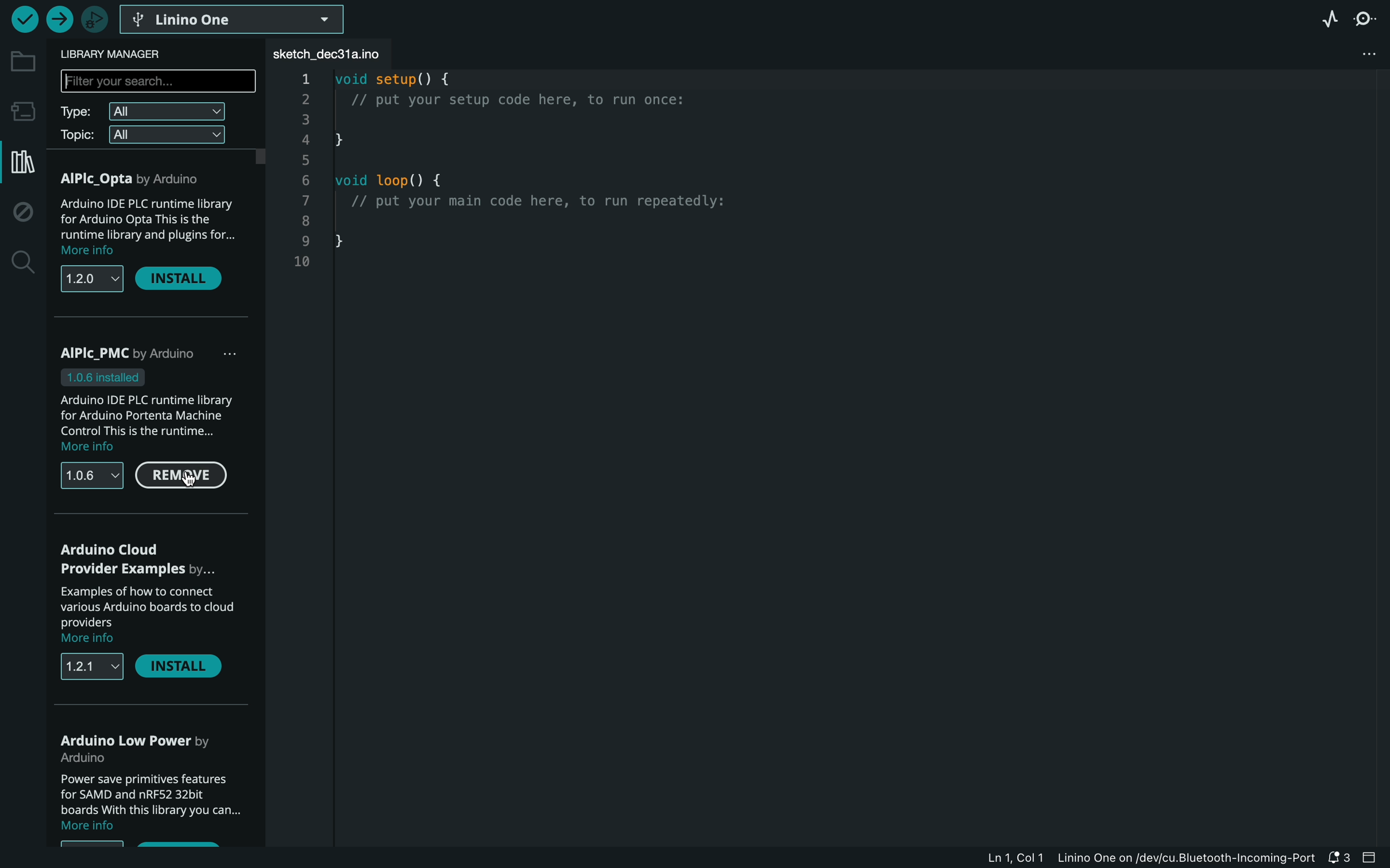 Image resolution: width=1390 pixels, height=868 pixels. What do you see at coordinates (137, 749) in the screenshot?
I see `low power` at bounding box center [137, 749].